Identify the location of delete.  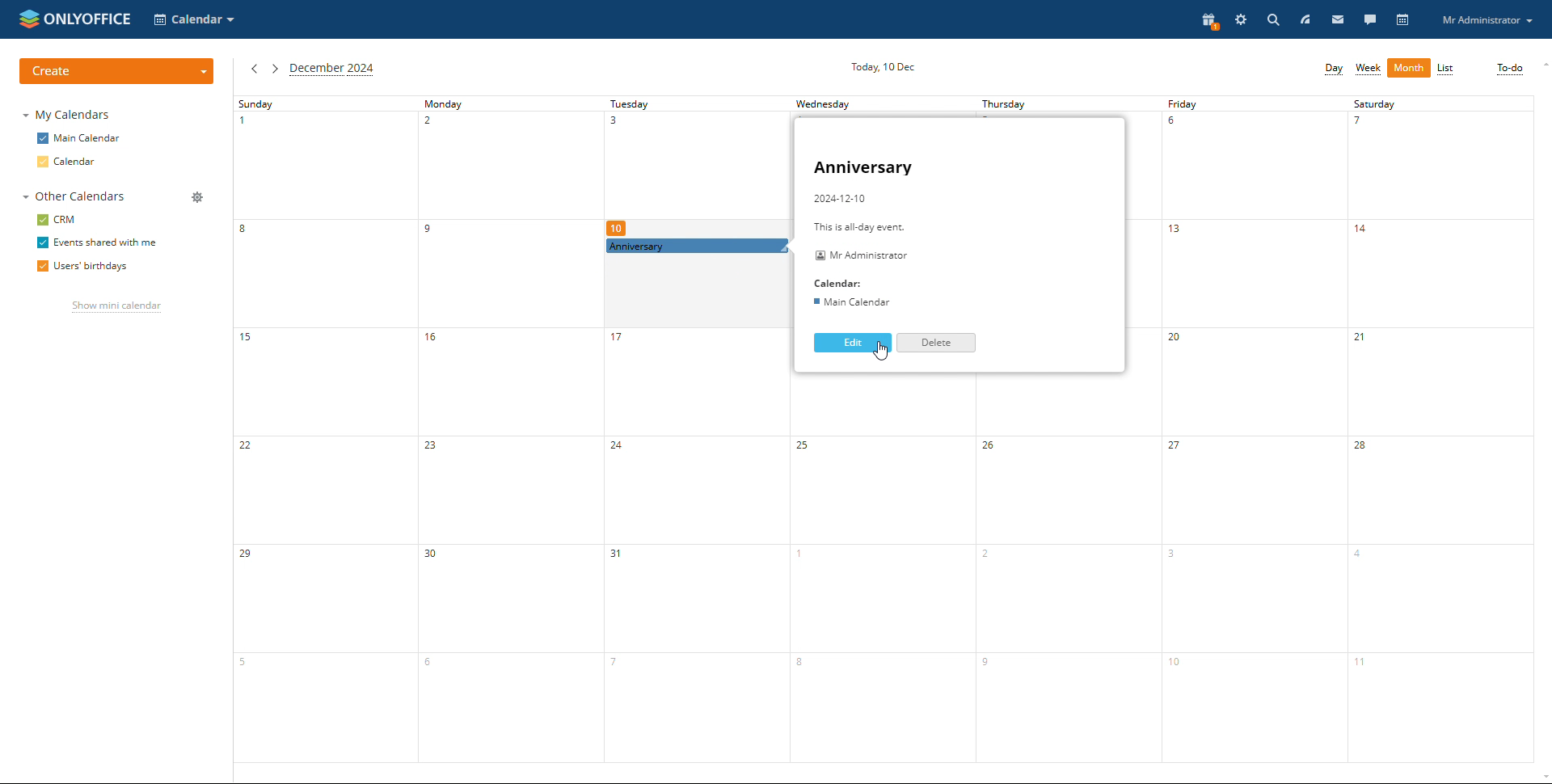
(937, 343).